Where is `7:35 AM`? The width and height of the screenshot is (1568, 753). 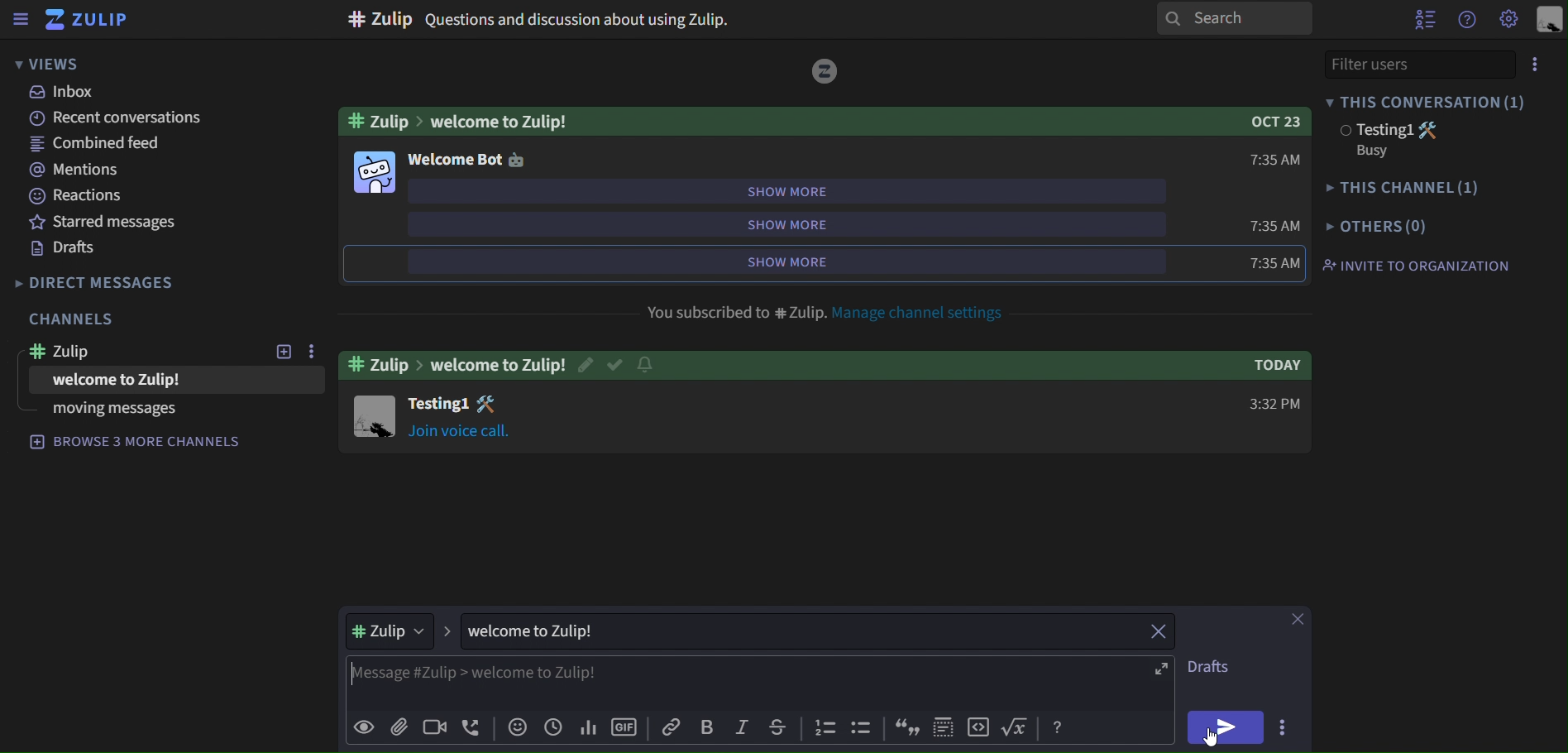 7:35 AM is located at coordinates (1278, 160).